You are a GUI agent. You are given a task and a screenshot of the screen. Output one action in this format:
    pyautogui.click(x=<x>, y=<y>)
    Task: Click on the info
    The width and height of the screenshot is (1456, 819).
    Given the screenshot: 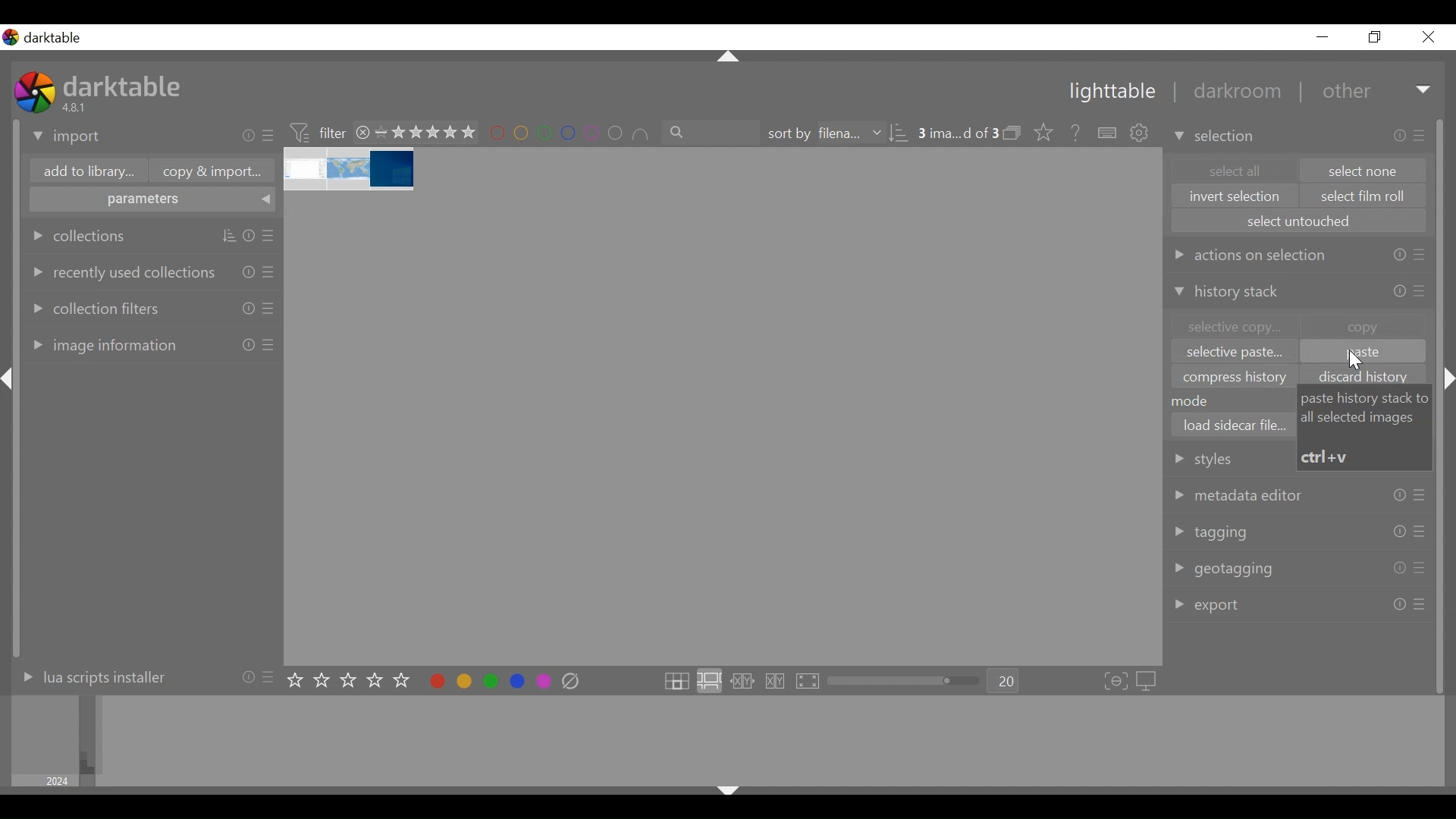 What is the action you would take?
    pyautogui.click(x=1399, y=532)
    